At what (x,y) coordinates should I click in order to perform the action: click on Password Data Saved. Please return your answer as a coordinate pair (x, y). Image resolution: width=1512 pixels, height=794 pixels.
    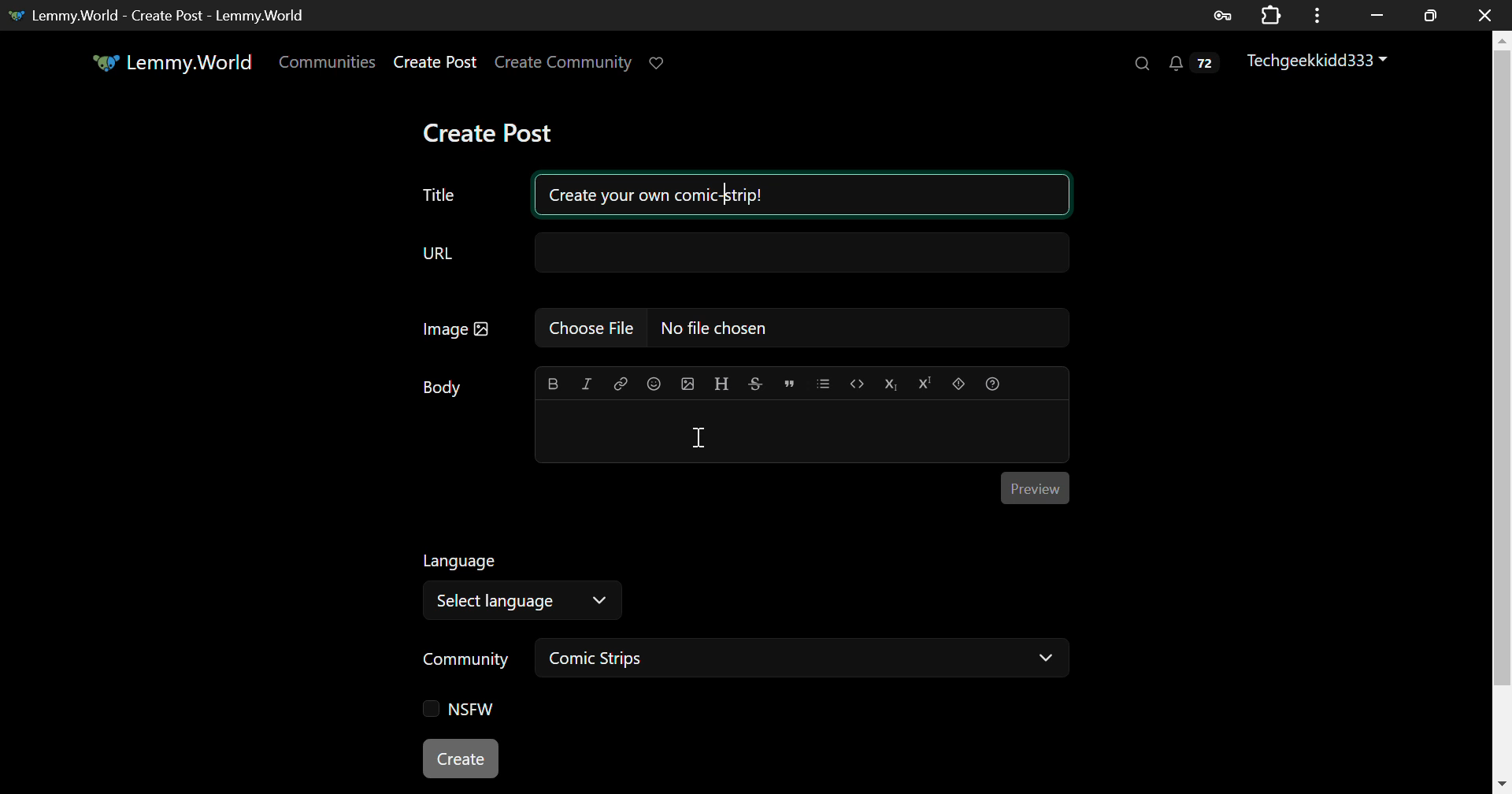
    Looking at the image, I should click on (1224, 14).